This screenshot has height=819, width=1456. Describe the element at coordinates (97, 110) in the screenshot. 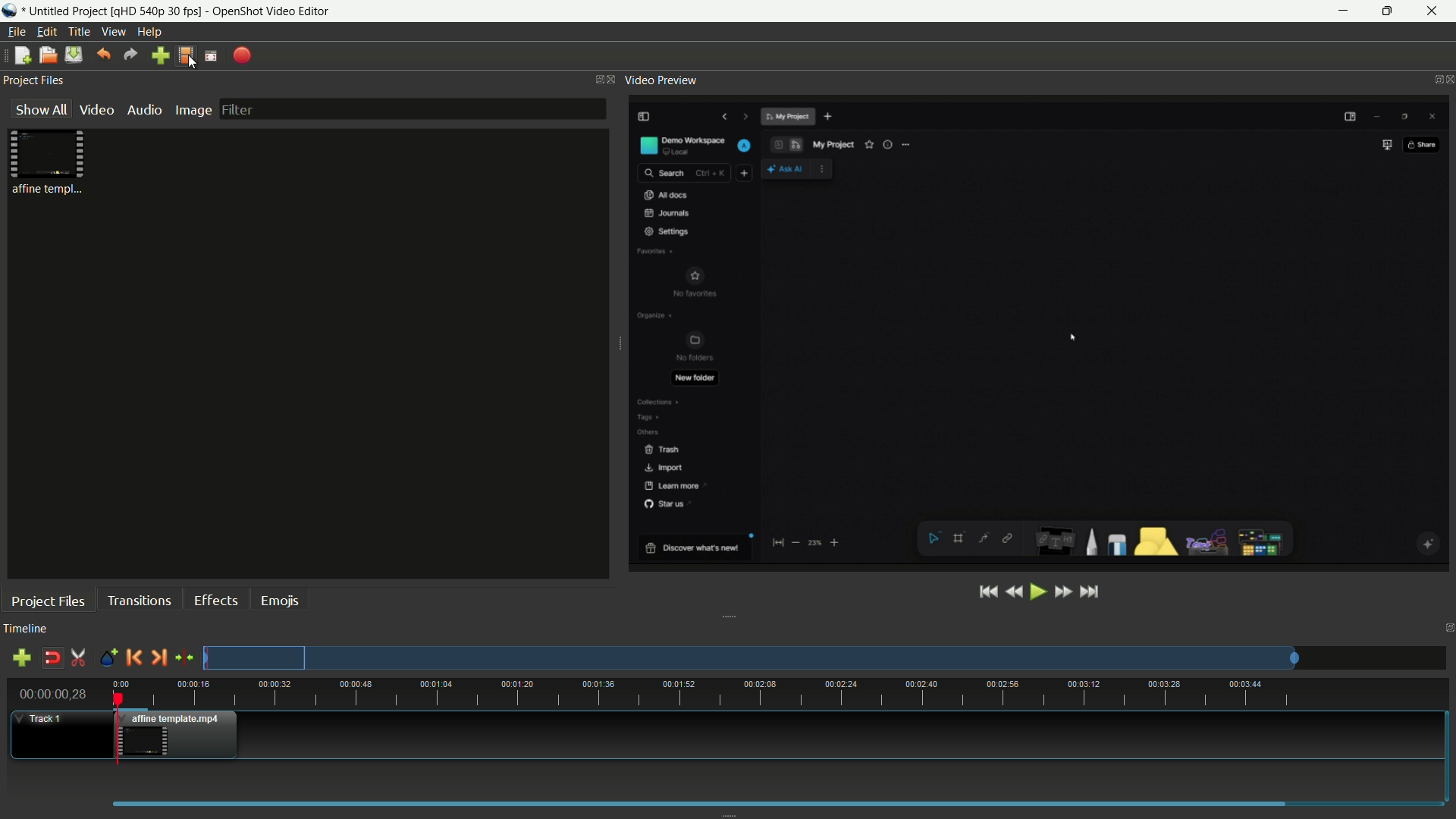

I see `video` at that location.